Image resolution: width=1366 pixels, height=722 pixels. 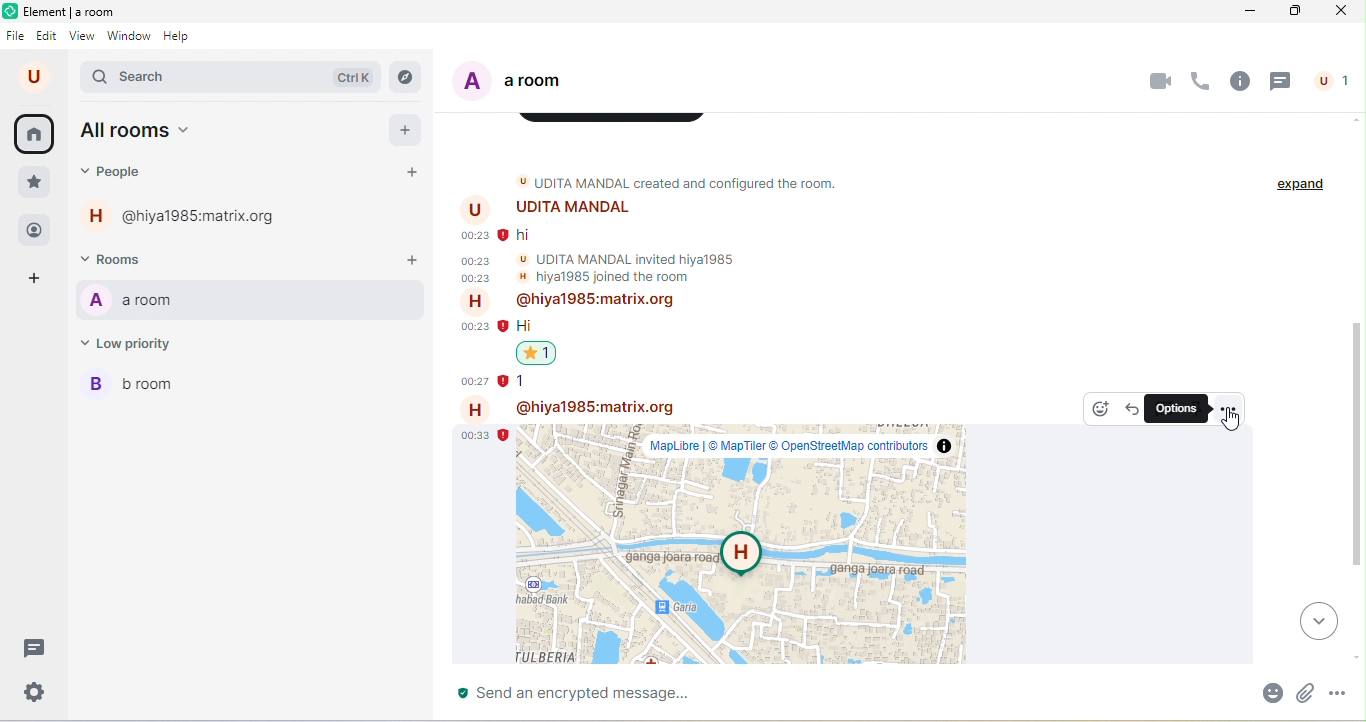 What do you see at coordinates (1165, 81) in the screenshot?
I see `video chat` at bounding box center [1165, 81].